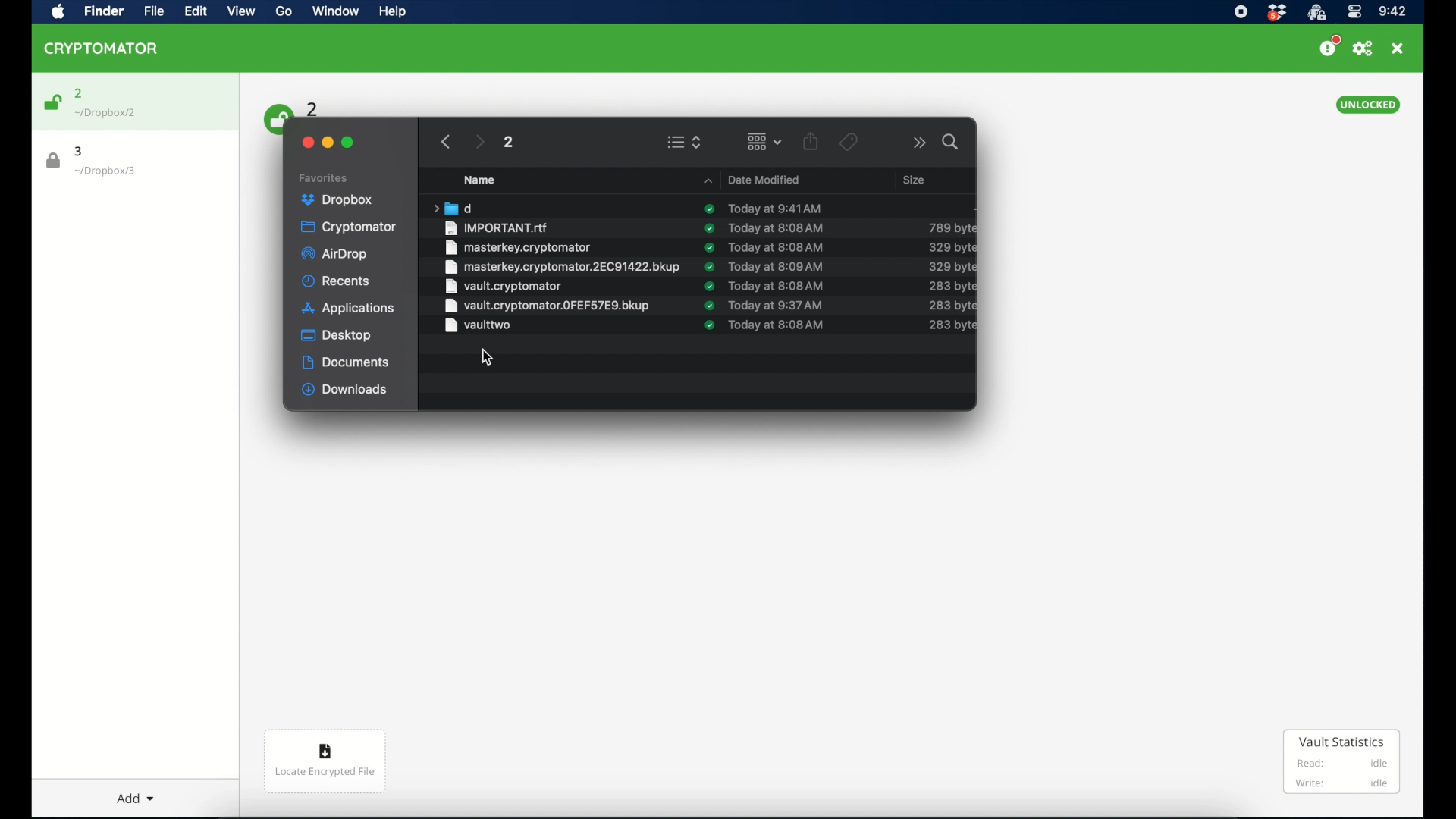 Image resolution: width=1456 pixels, height=819 pixels. What do you see at coordinates (776, 305) in the screenshot?
I see `date` at bounding box center [776, 305].